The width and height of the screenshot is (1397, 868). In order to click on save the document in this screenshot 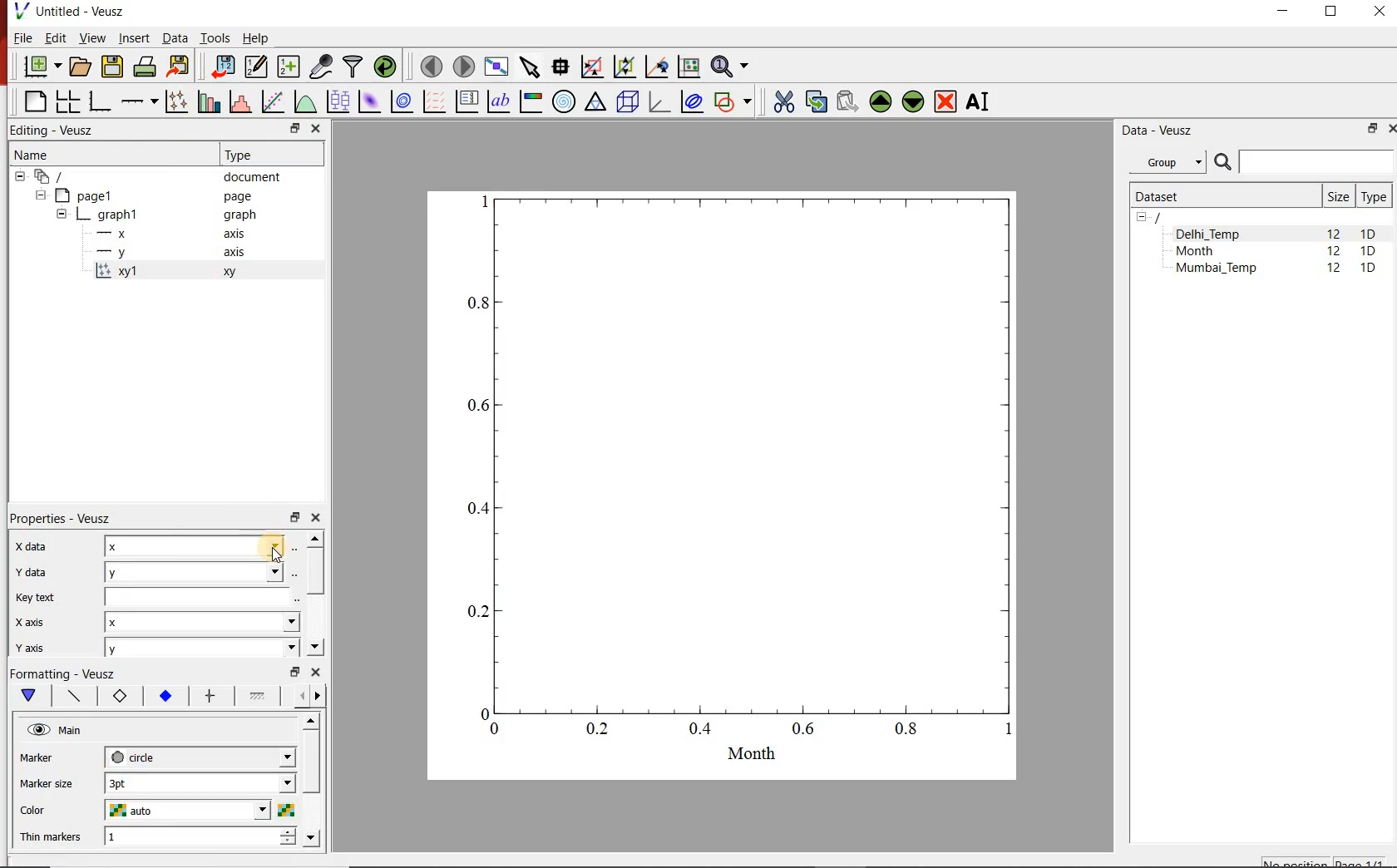, I will do `click(111, 67)`.